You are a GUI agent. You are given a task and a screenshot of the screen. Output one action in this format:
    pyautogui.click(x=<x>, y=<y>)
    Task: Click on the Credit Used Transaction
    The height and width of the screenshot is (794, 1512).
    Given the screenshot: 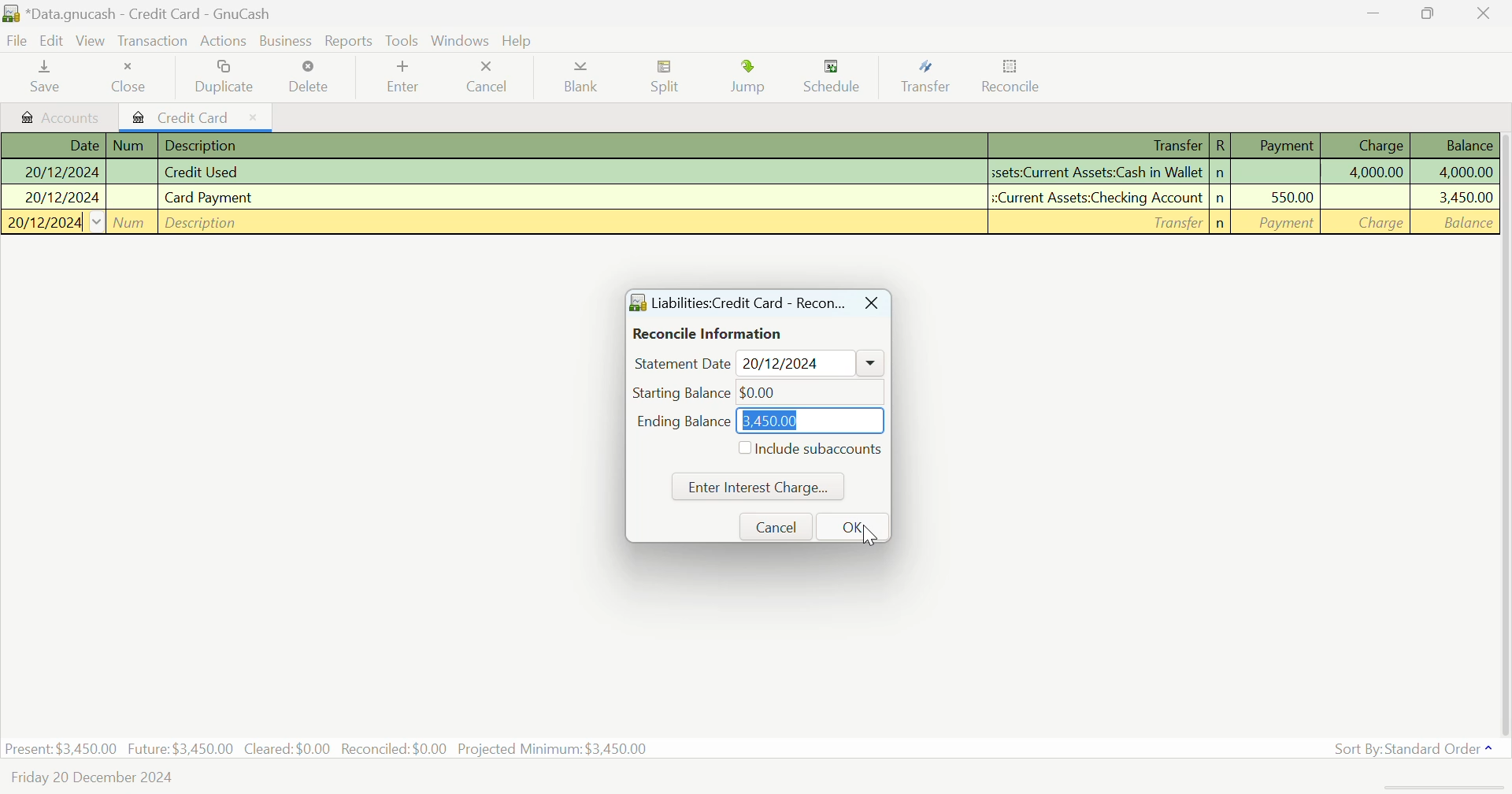 What is the action you would take?
    pyautogui.click(x=747, y=172)
    